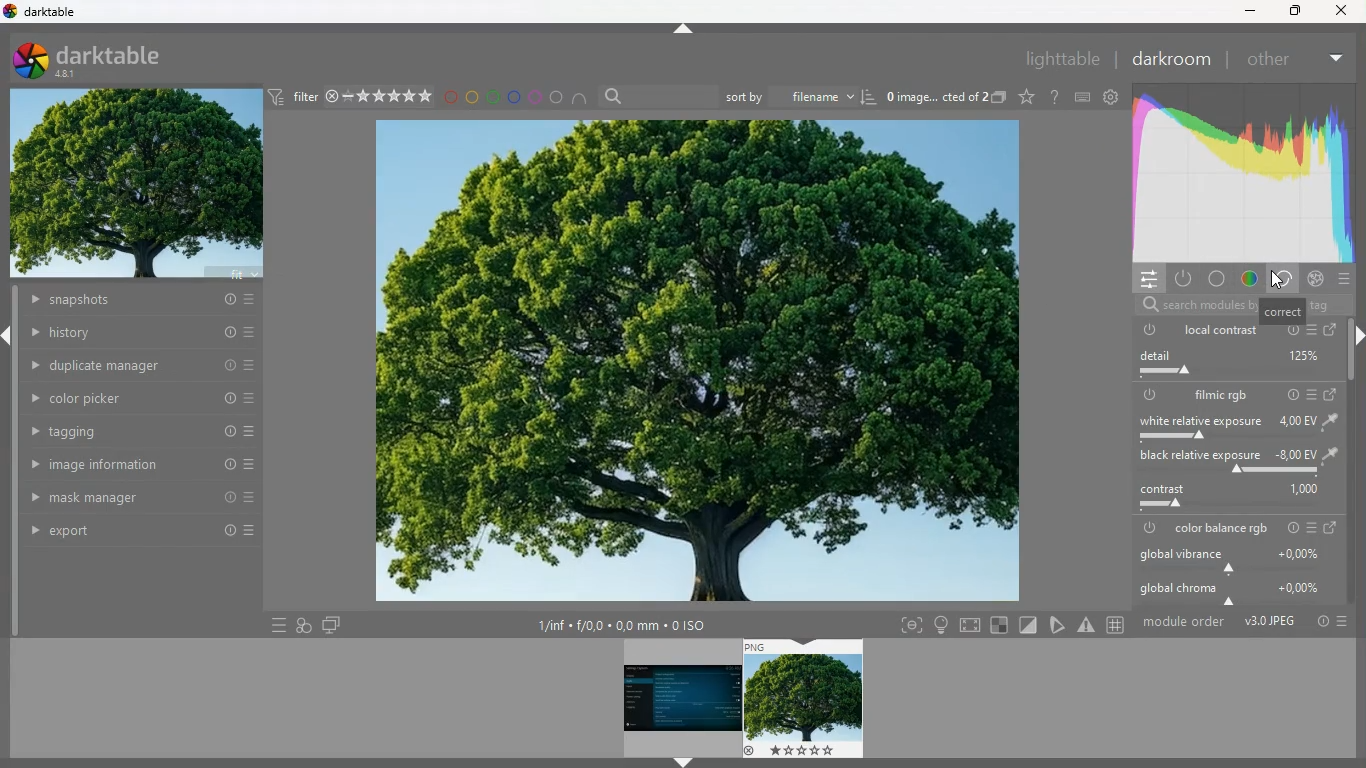  Describe the element at coordinates (101, 60) in the screenshot. I see `darktable` at that location.